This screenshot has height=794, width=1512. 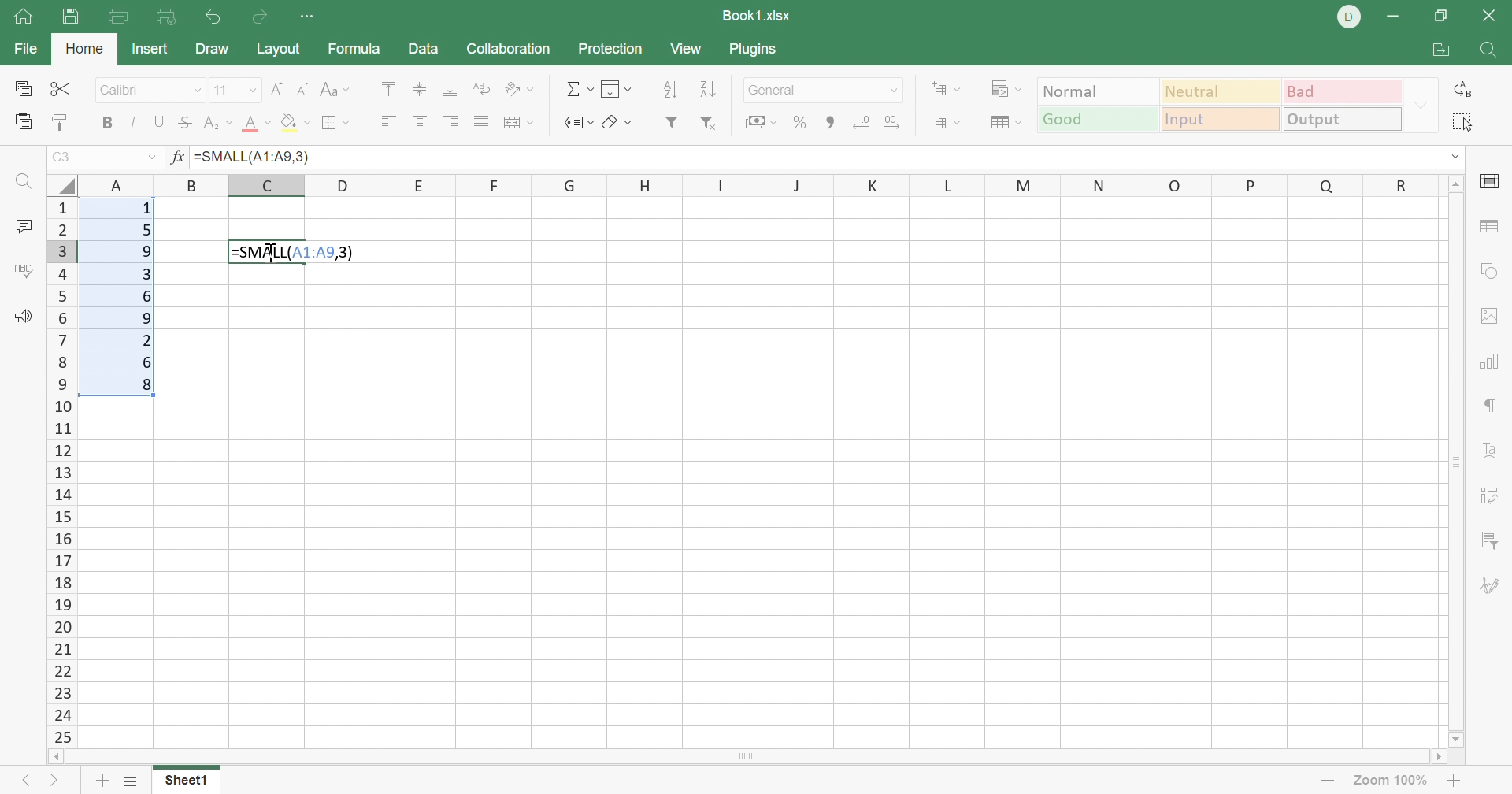 What do you see at coordinates (69, 17) in the screenshot?
I see `Save` at bounding box center [69, 17].